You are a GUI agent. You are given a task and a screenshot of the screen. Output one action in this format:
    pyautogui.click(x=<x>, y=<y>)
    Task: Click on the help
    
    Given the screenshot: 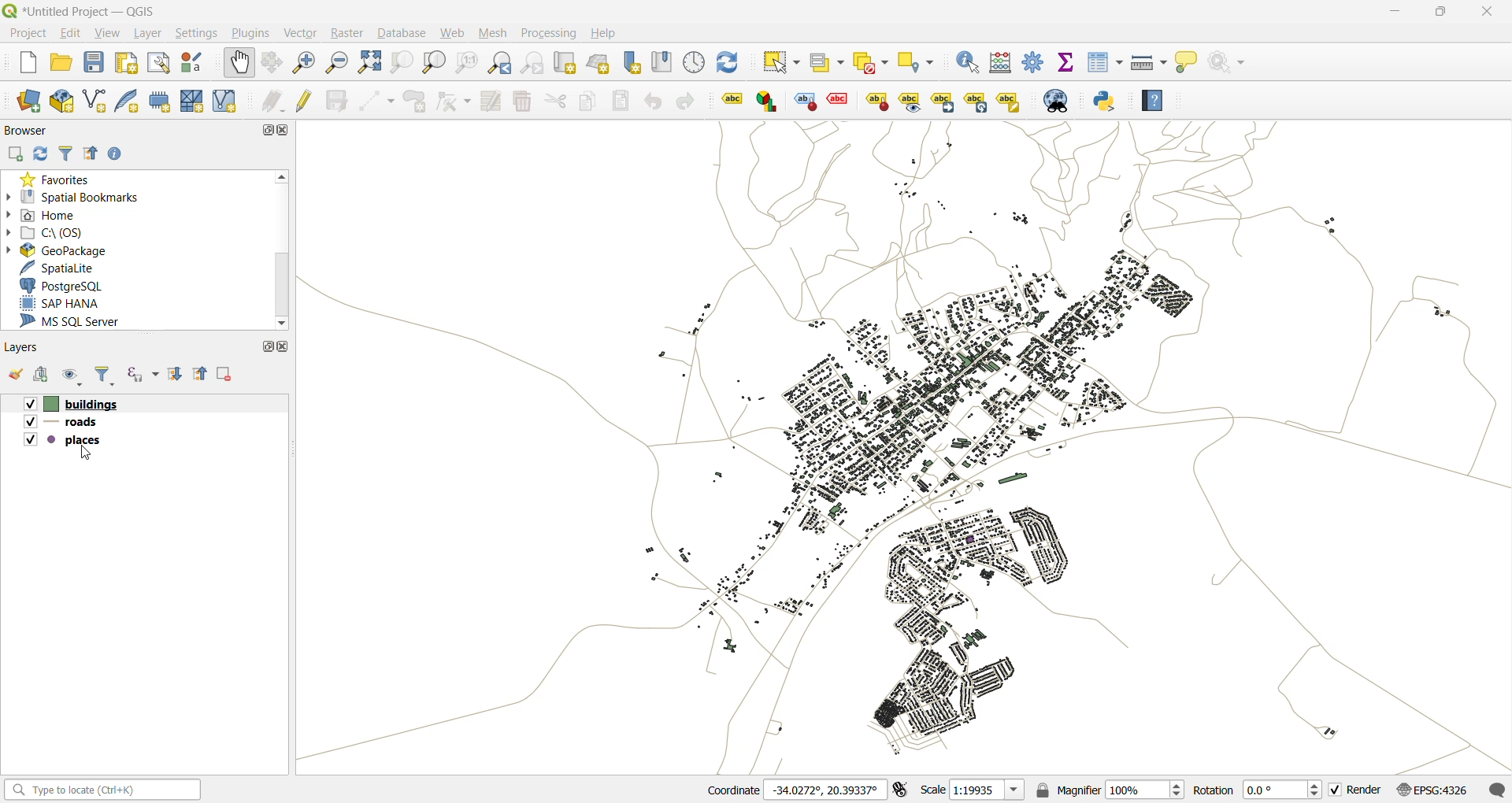 What is the action you would take?
    pyautogui.click(x=610, y=35)
    